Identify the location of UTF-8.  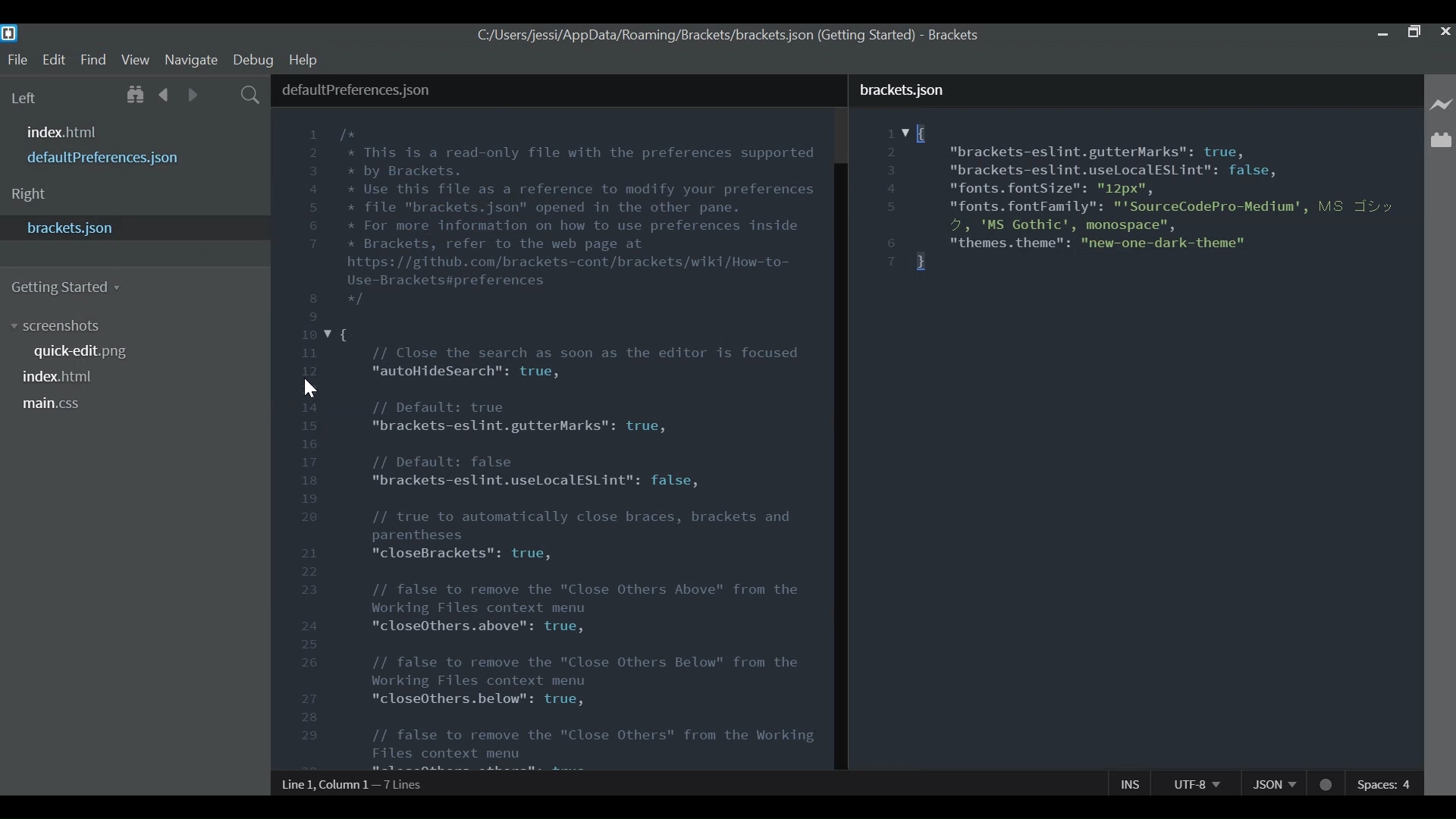
(1193, 783).